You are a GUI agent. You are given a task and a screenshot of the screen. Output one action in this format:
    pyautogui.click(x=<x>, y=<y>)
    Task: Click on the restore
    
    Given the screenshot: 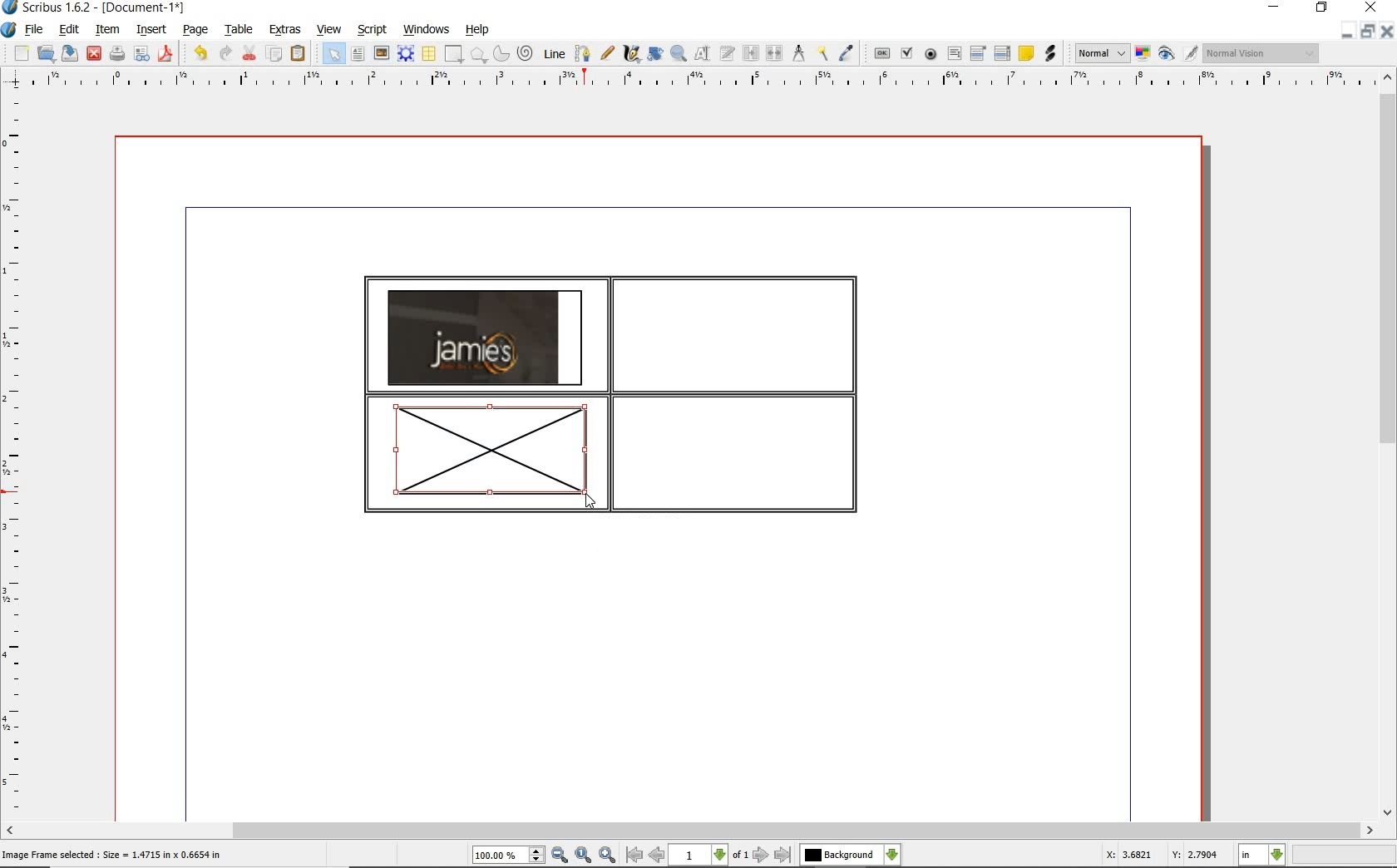 What is the action you would take?
    pyautogui.click(x=1366, y=32)
    